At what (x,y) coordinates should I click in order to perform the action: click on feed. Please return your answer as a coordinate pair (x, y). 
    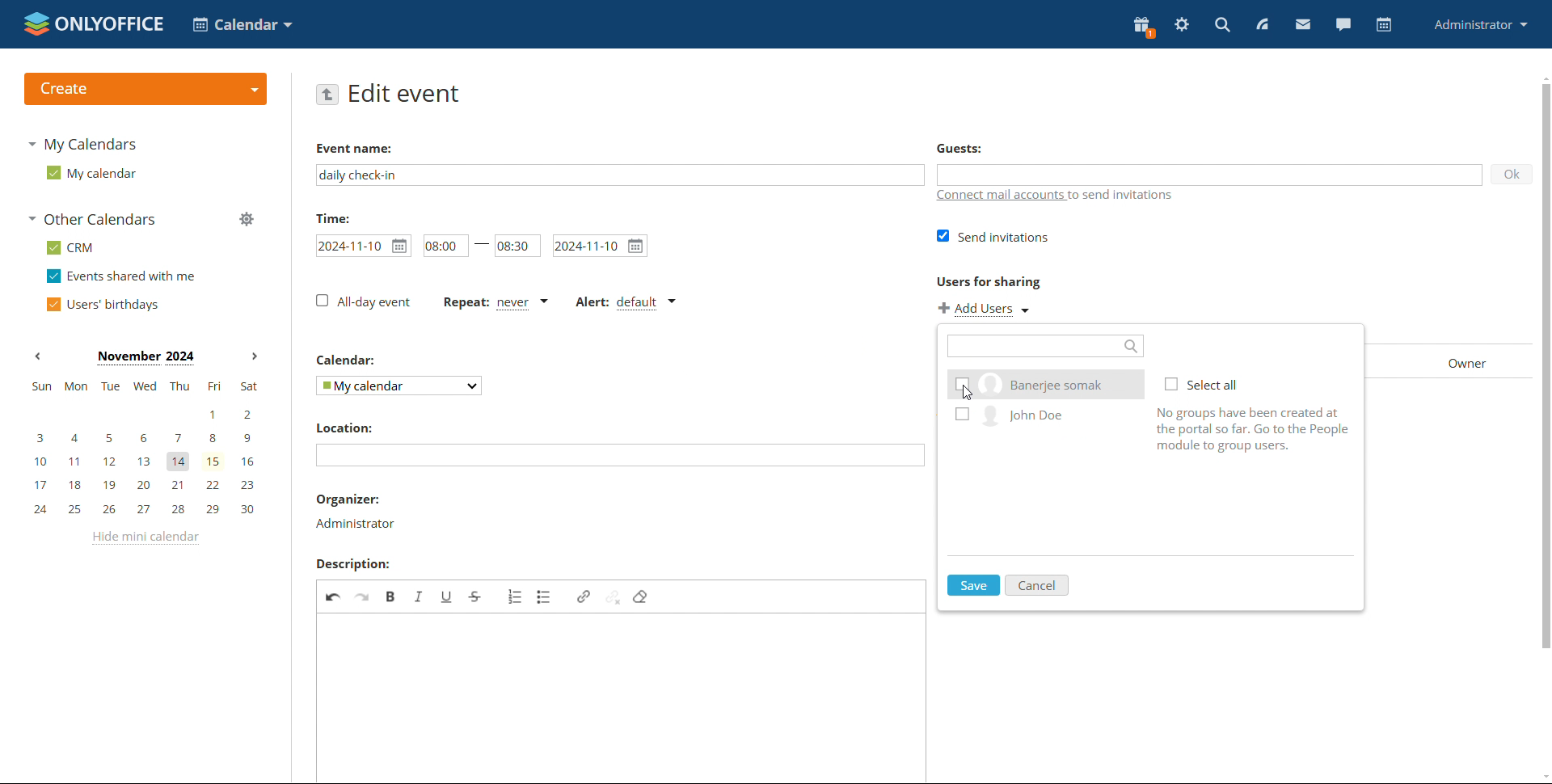
    Looking at the image, I should click on (1261, 24).